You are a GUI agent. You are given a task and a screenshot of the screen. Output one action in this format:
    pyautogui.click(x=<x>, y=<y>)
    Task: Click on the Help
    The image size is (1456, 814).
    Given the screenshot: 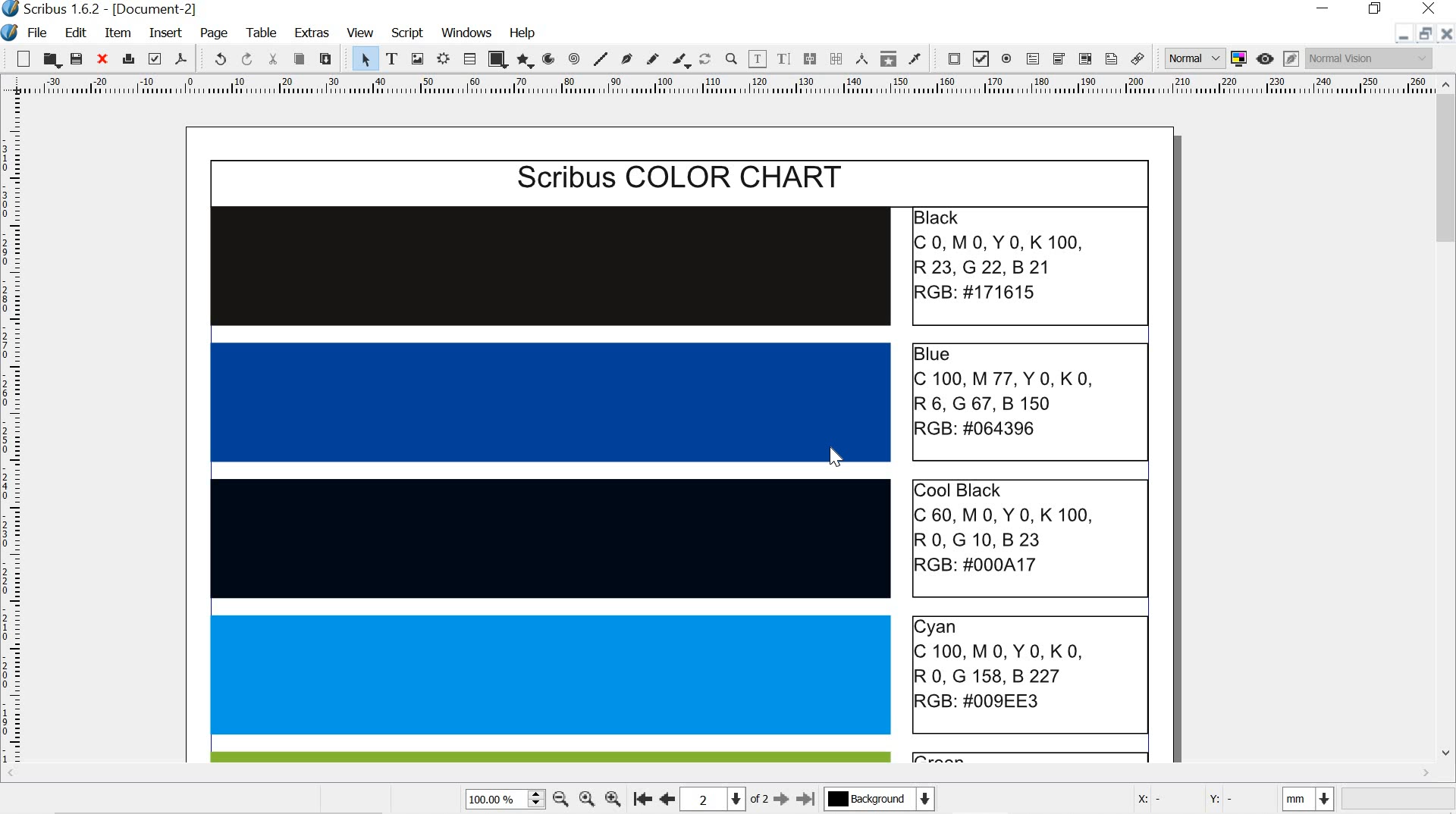 What is the action you would take?
    pyautogui.click(x=524, y=33)
    